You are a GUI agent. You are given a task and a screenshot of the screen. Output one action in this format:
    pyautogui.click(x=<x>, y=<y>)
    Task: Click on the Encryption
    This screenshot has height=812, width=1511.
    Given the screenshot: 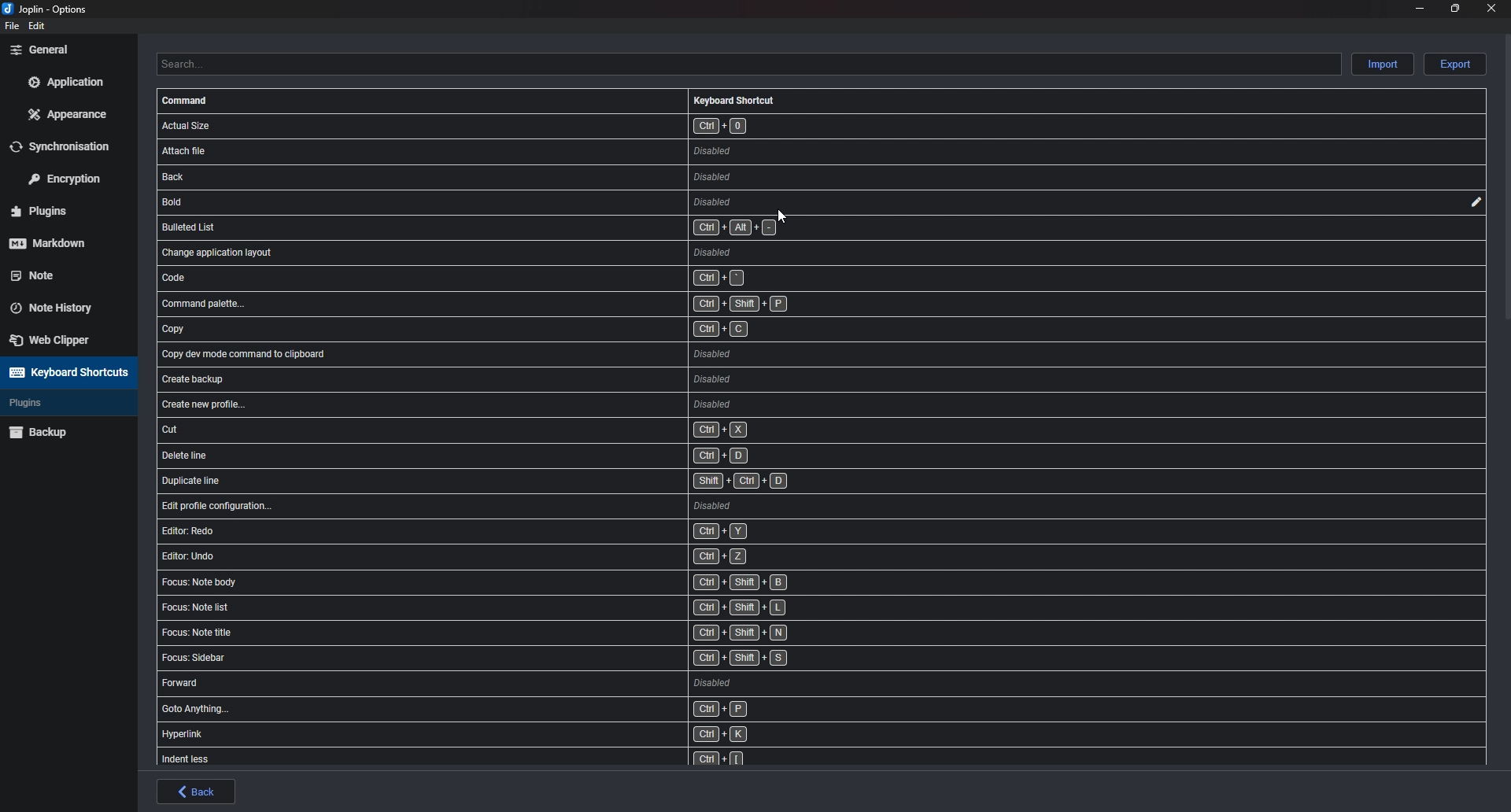 What is the action you would take?
    pyautogui.click(x=70, y=177)
    